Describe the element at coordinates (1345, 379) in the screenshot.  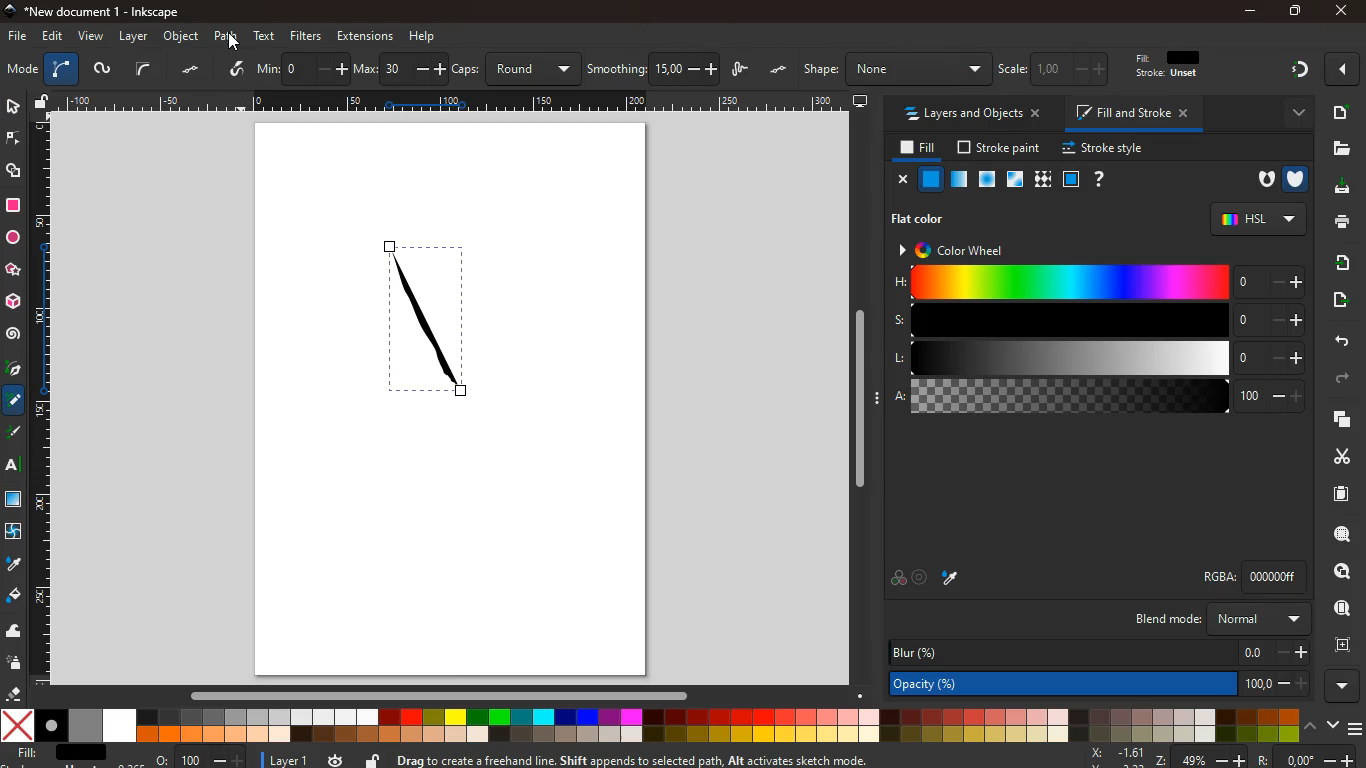
I see `forward` at that location.